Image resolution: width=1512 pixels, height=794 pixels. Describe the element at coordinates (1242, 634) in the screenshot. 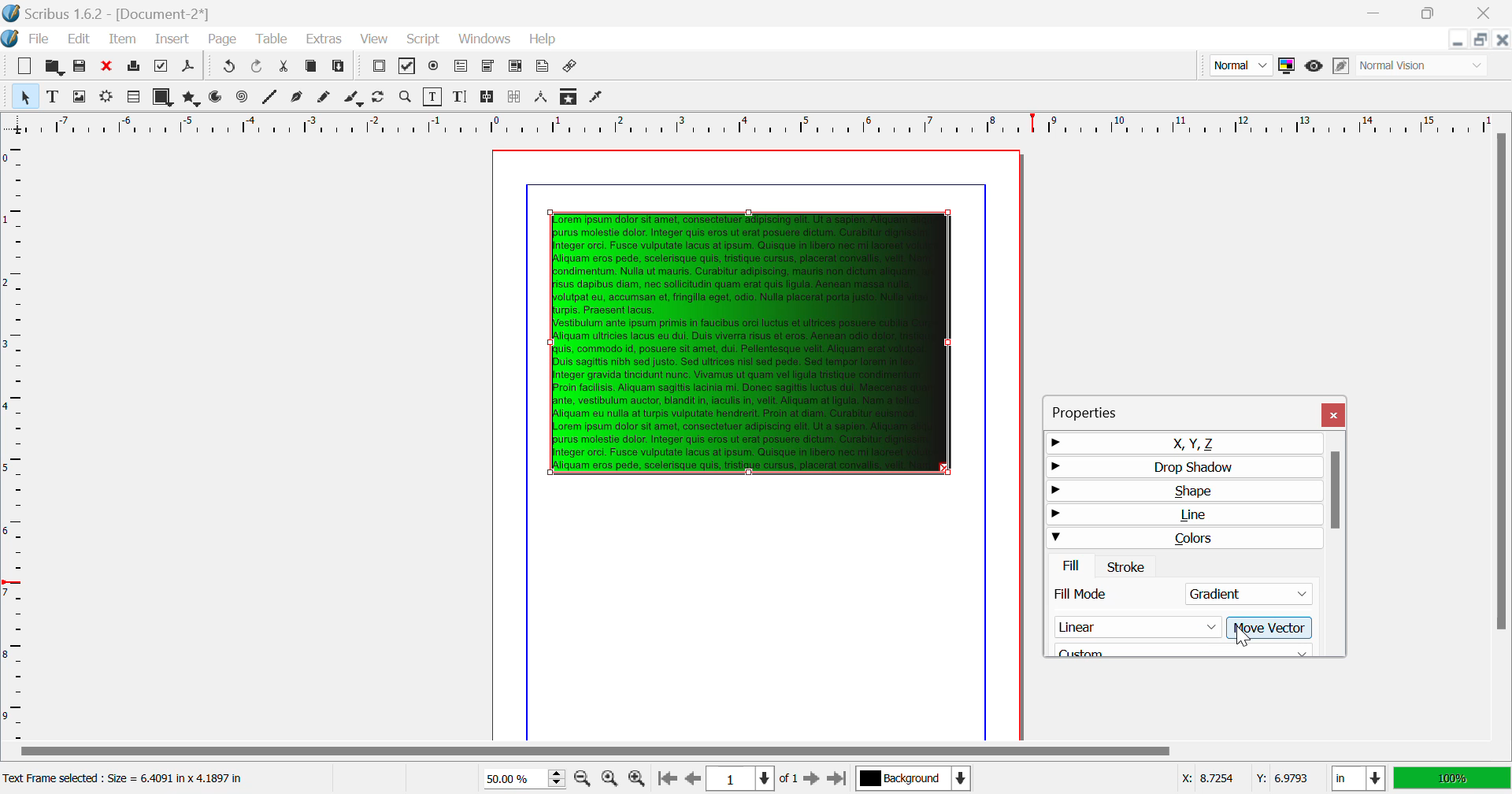

I see `Cursor Position` at that location.